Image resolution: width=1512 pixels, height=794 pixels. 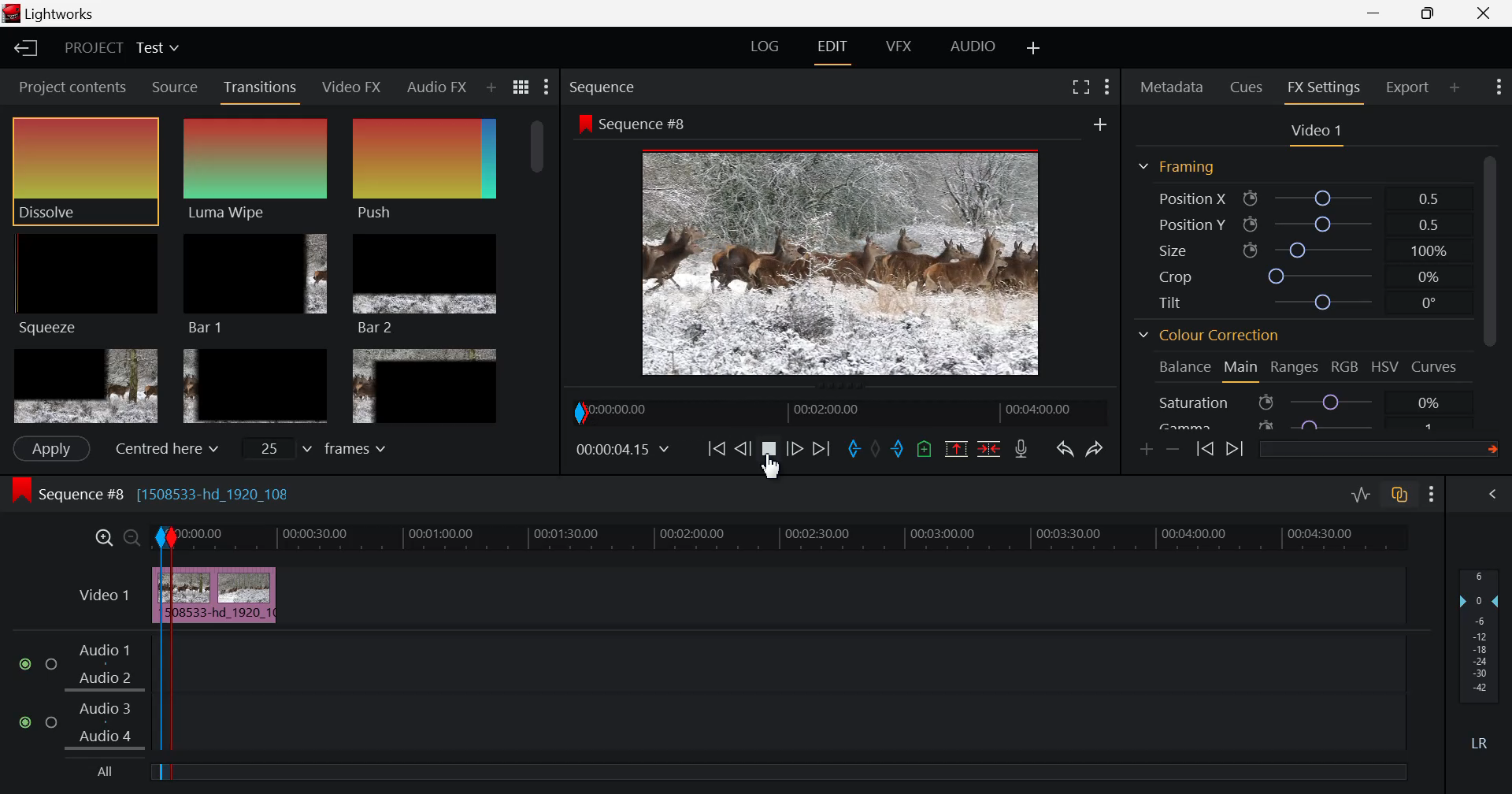 I want to click on Image, so click(x=846, y=265).